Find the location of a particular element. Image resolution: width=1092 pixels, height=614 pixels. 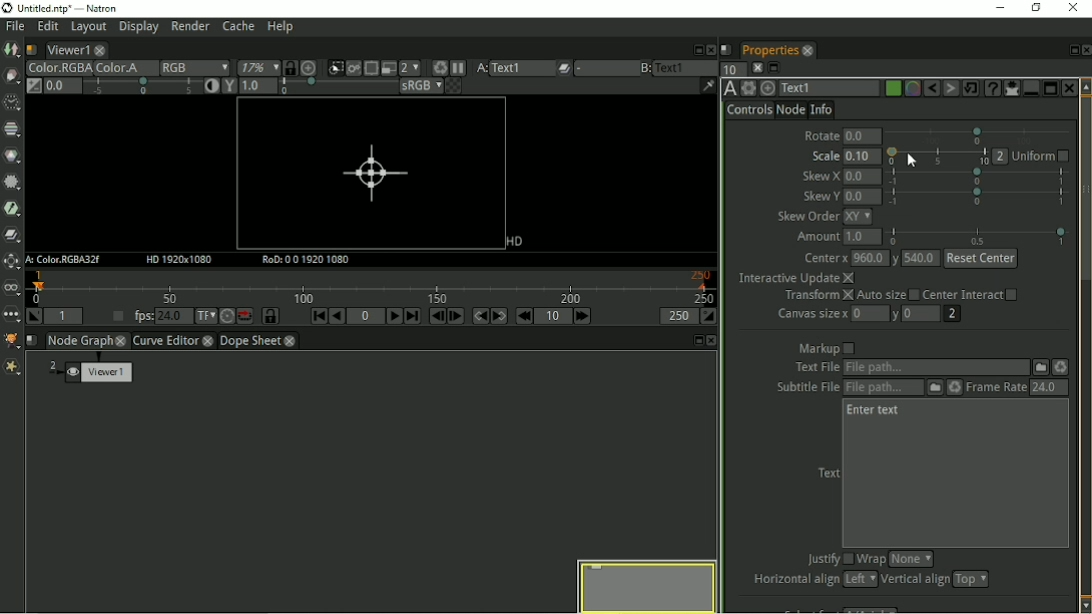

fps is located at coordinates (160, 316).